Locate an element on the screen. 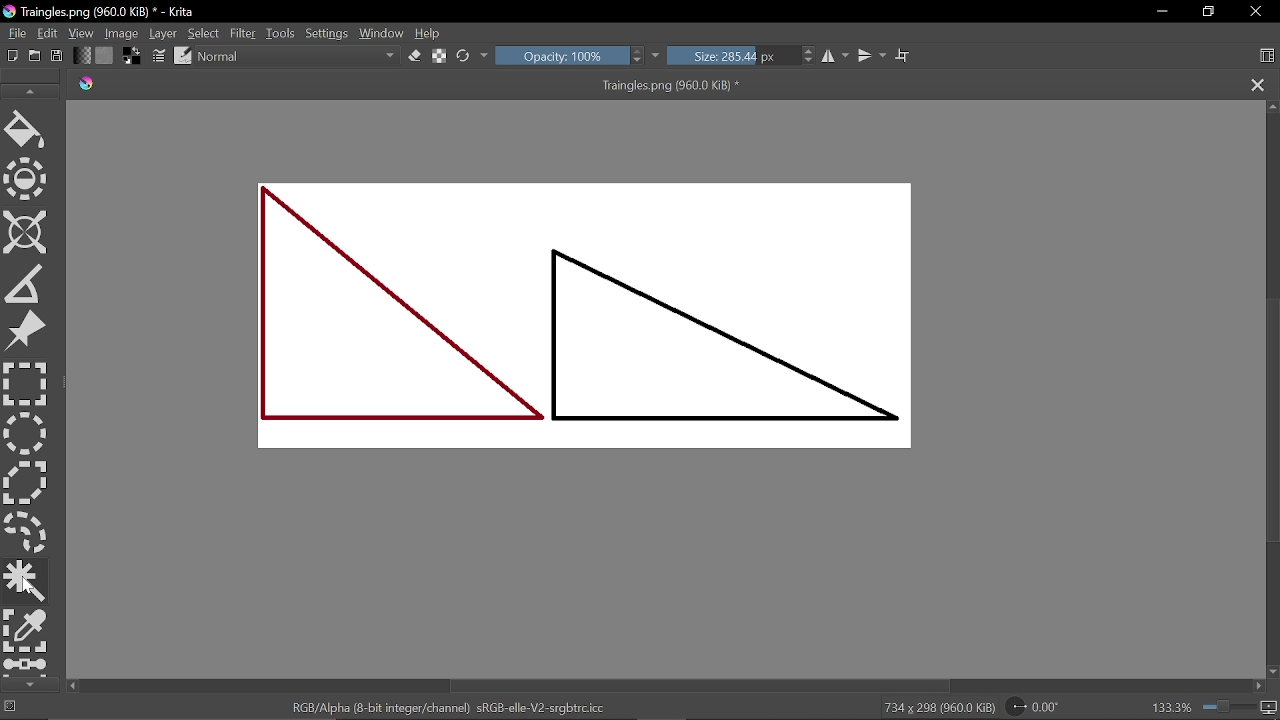 This screenshot has height=720, width=1280. Current Image is located at coordinates (594, 321).